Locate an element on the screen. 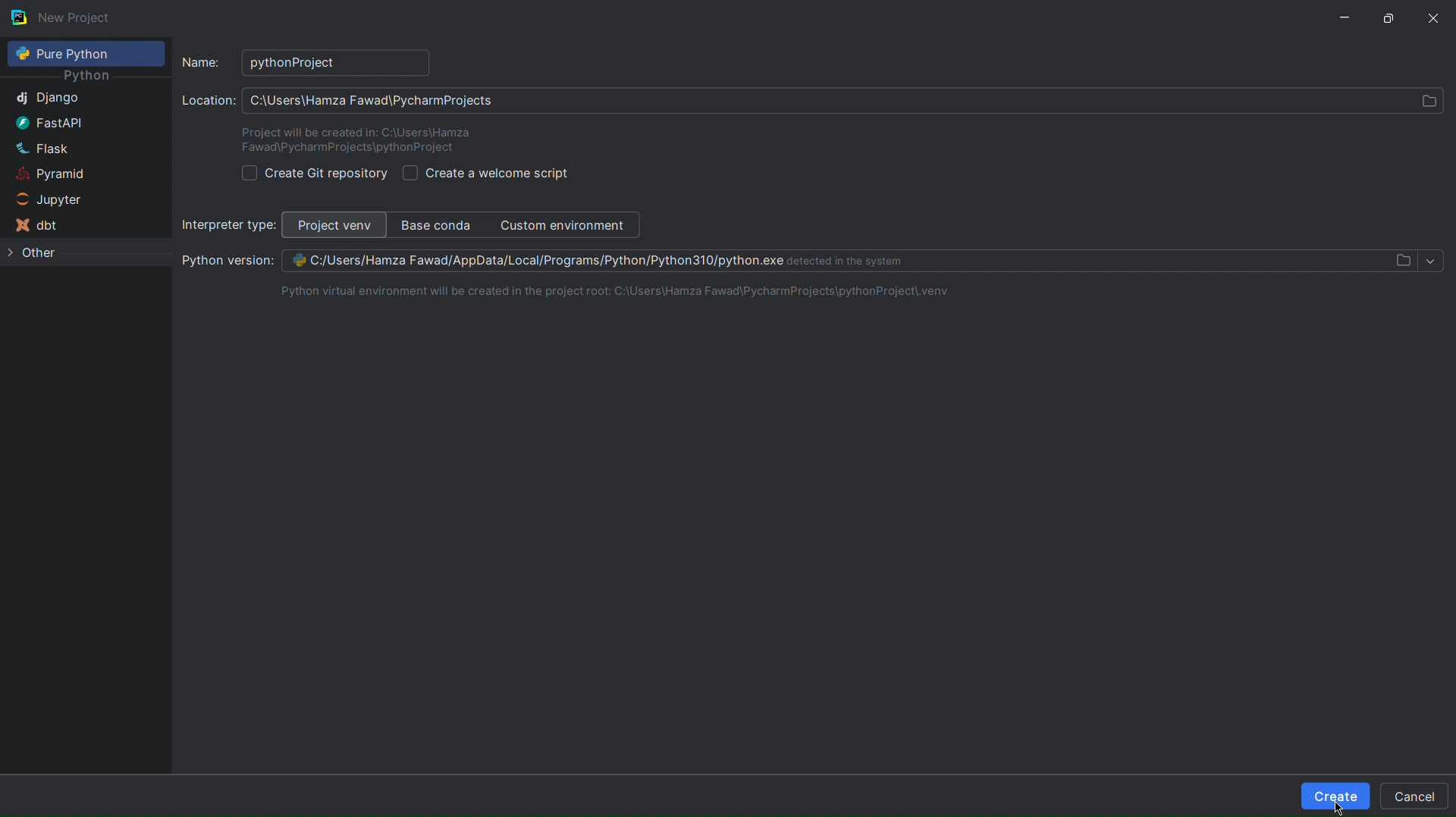 The image size is (1456, 817). Python virtual environment will be created in the project root: C:\Users\Hamza Fawad\PycharmProjects\pythonProject\.venv is located at coordinates (607, 291).